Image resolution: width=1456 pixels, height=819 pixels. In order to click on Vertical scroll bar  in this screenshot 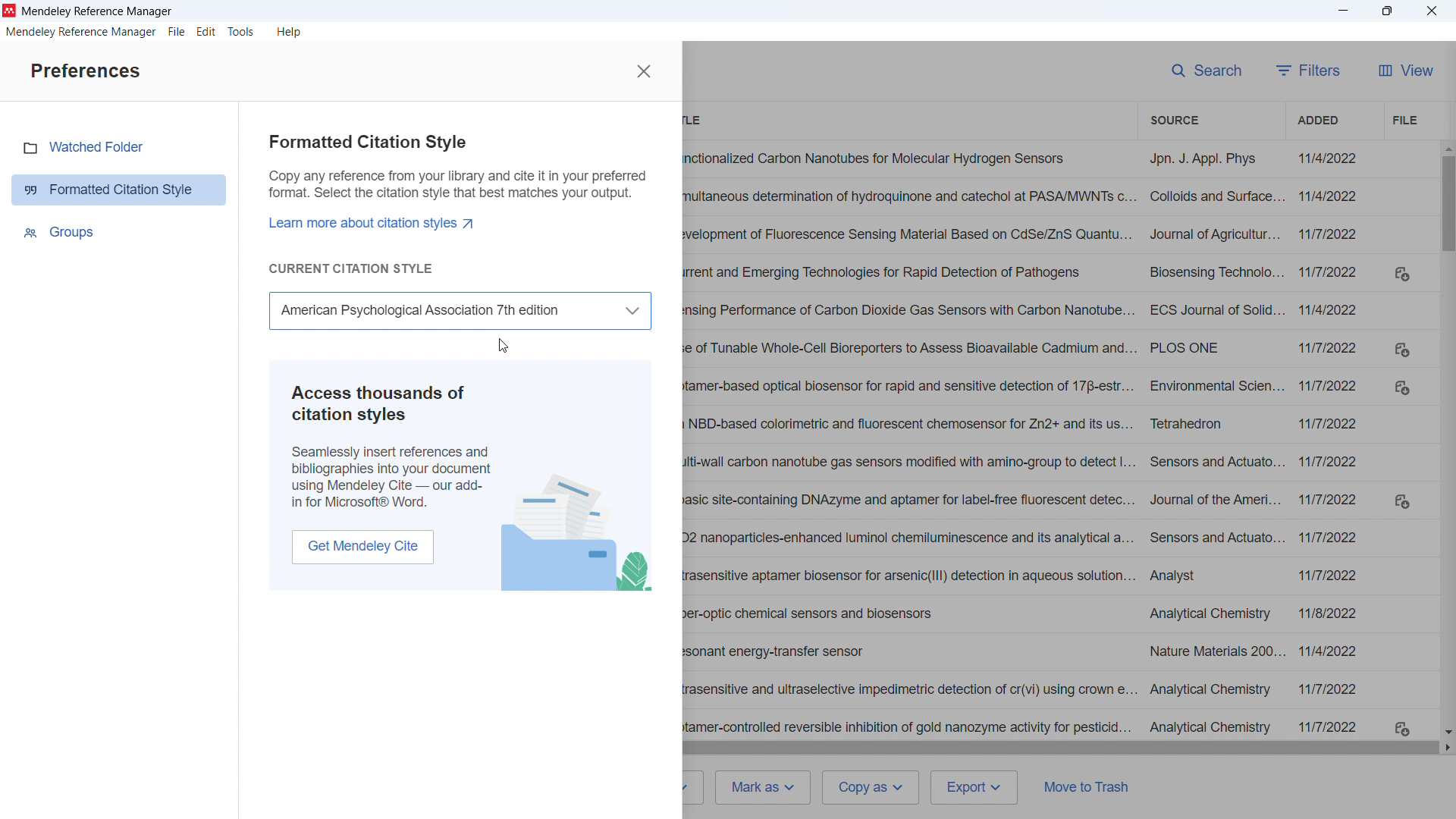, I will do `click(1447, 205)`.